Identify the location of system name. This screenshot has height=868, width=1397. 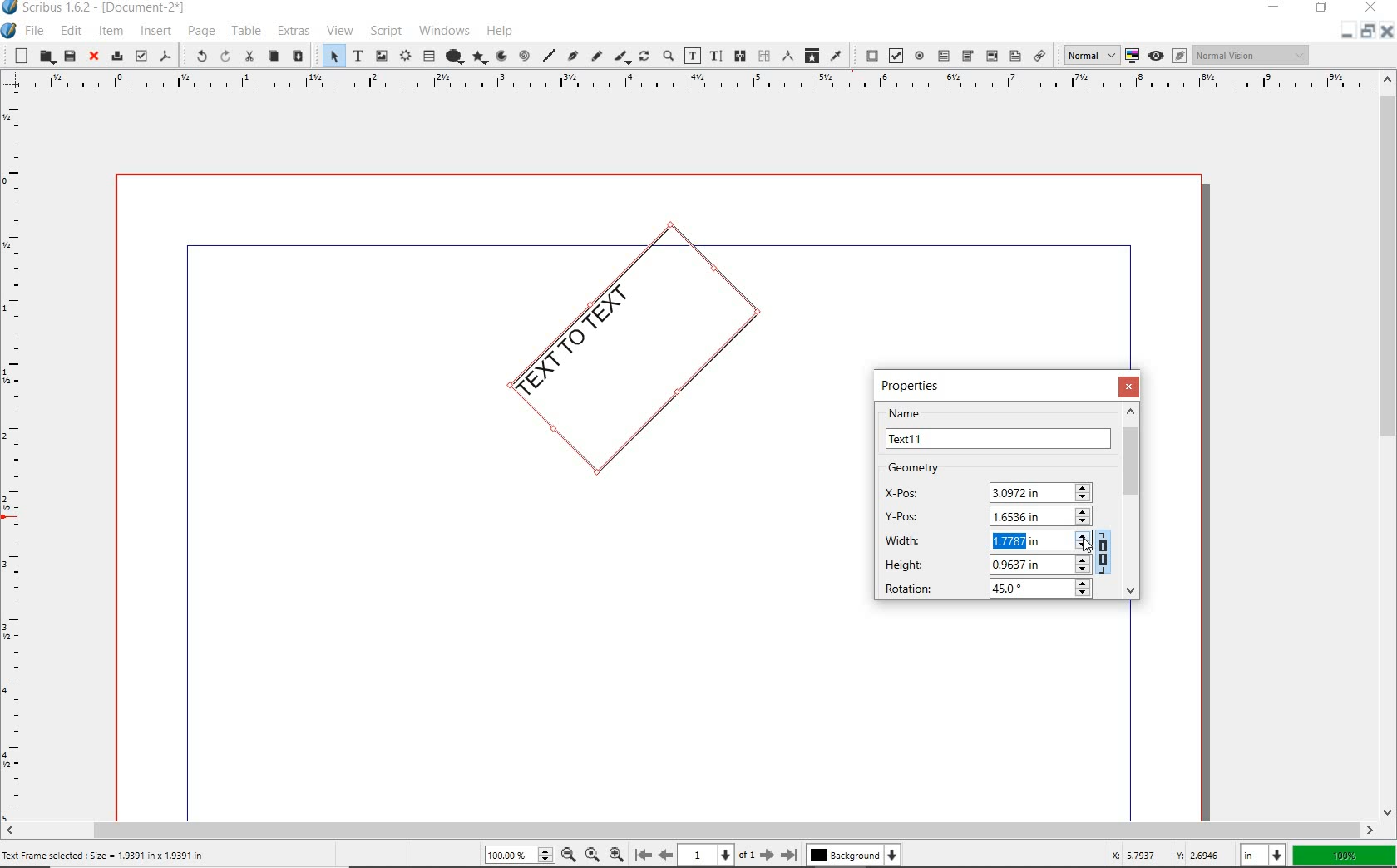
(107, 8).